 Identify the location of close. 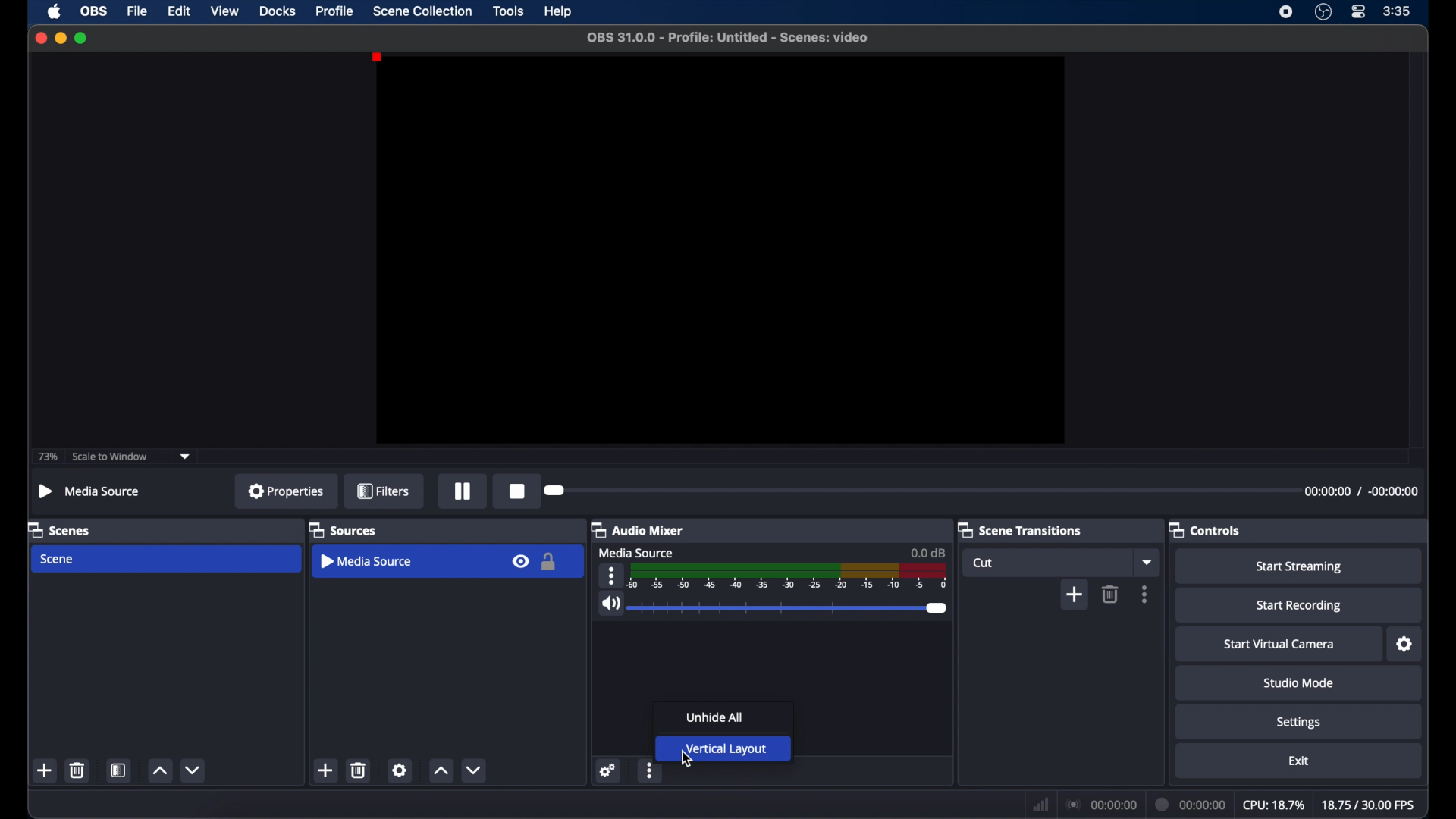
(40, 38).